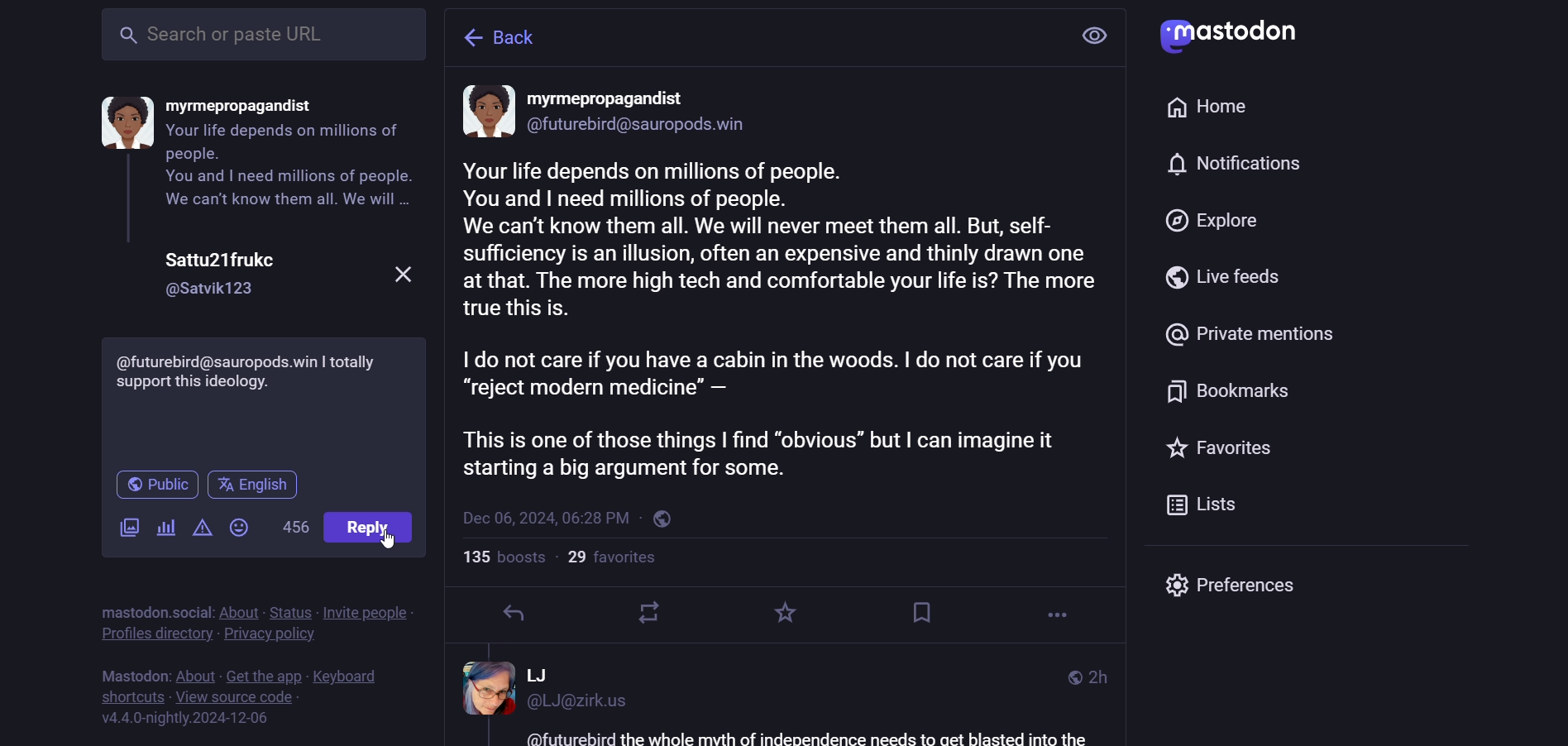  Describe the element at coordinates (240, 528) in the screenshot. I see `emoji` at that location.